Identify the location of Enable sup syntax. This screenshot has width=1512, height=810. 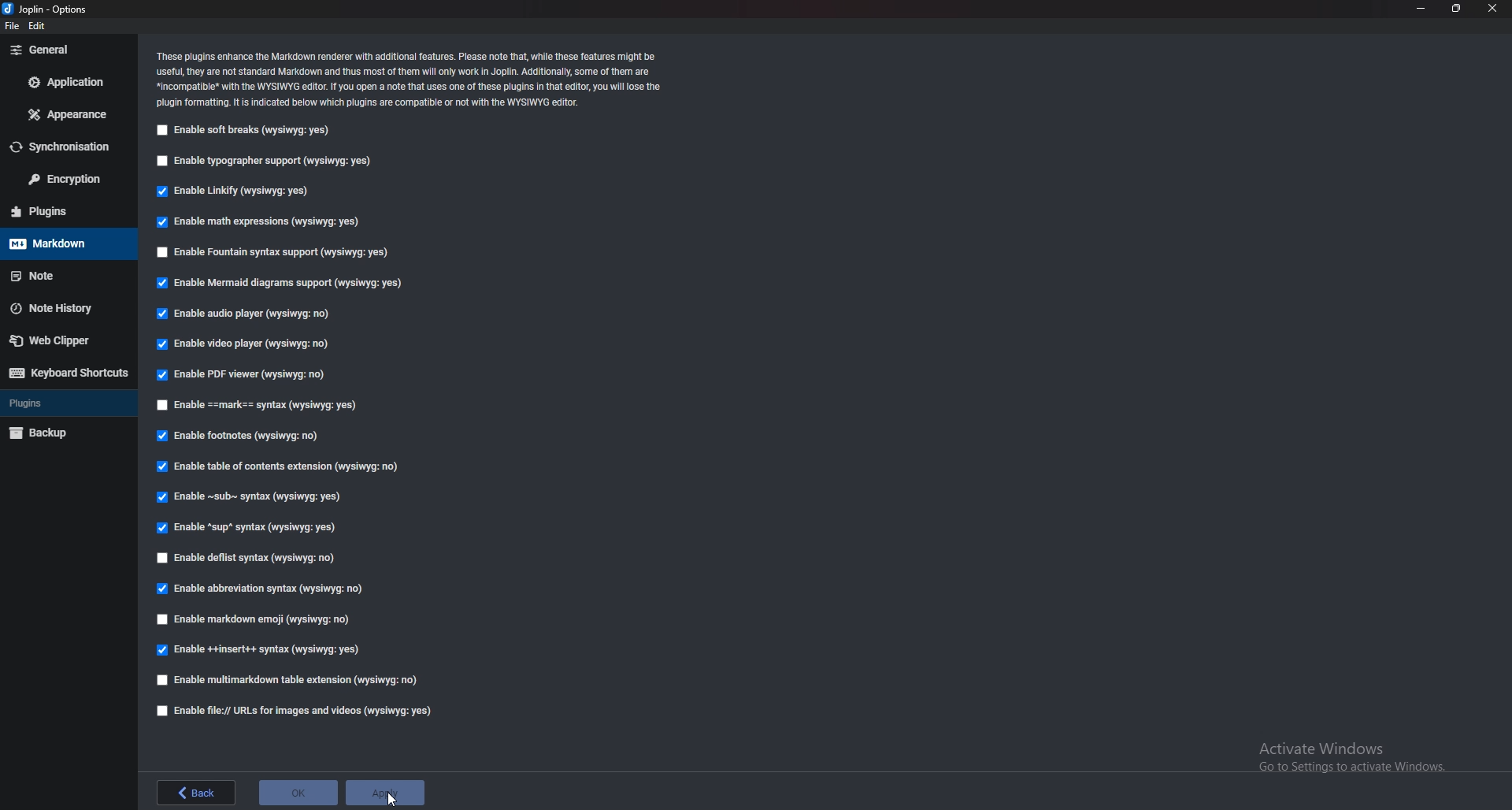
(249, 528).